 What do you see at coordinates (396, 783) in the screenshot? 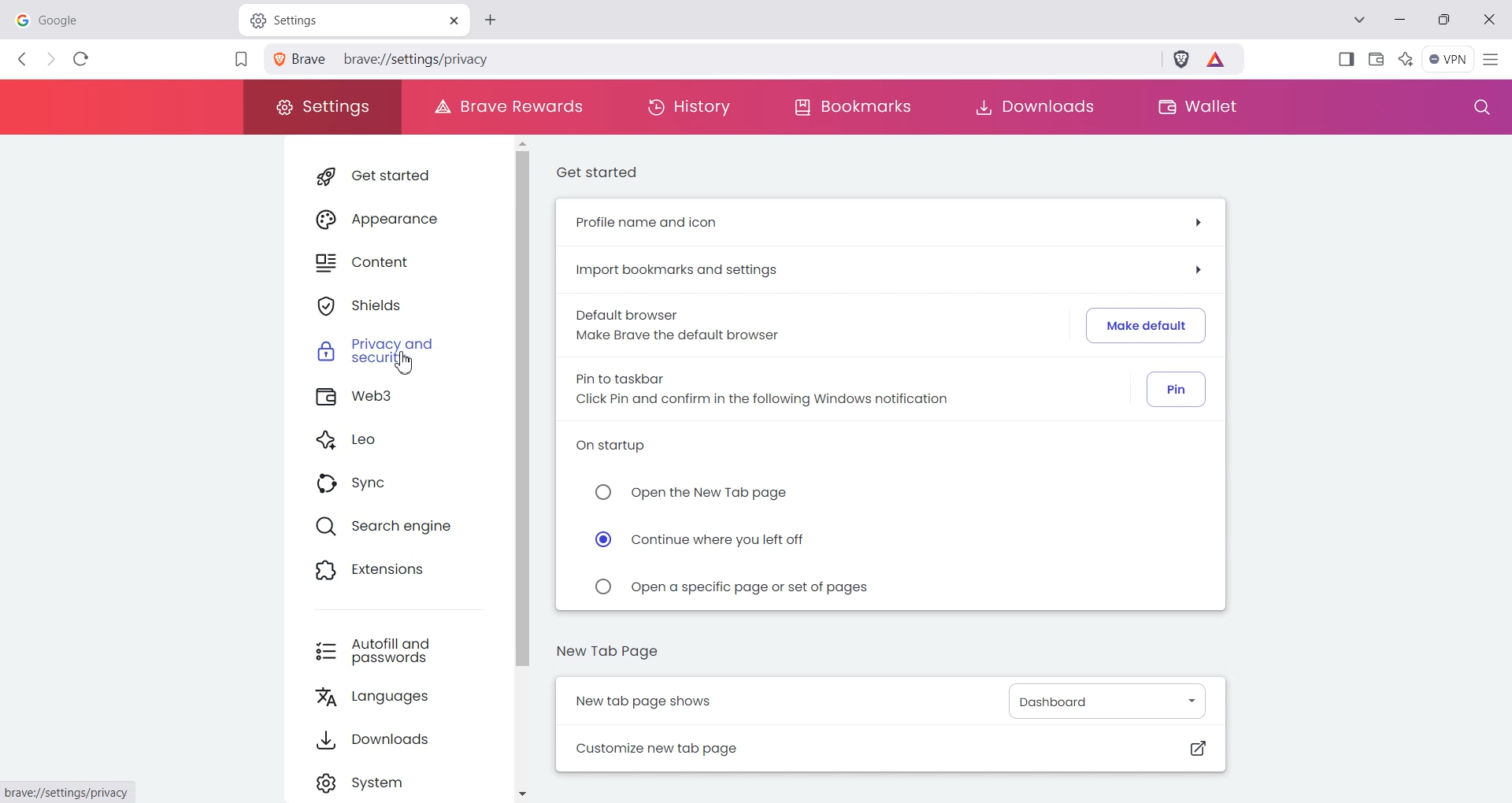
I see `Settings` at bounding box center [396, 783].